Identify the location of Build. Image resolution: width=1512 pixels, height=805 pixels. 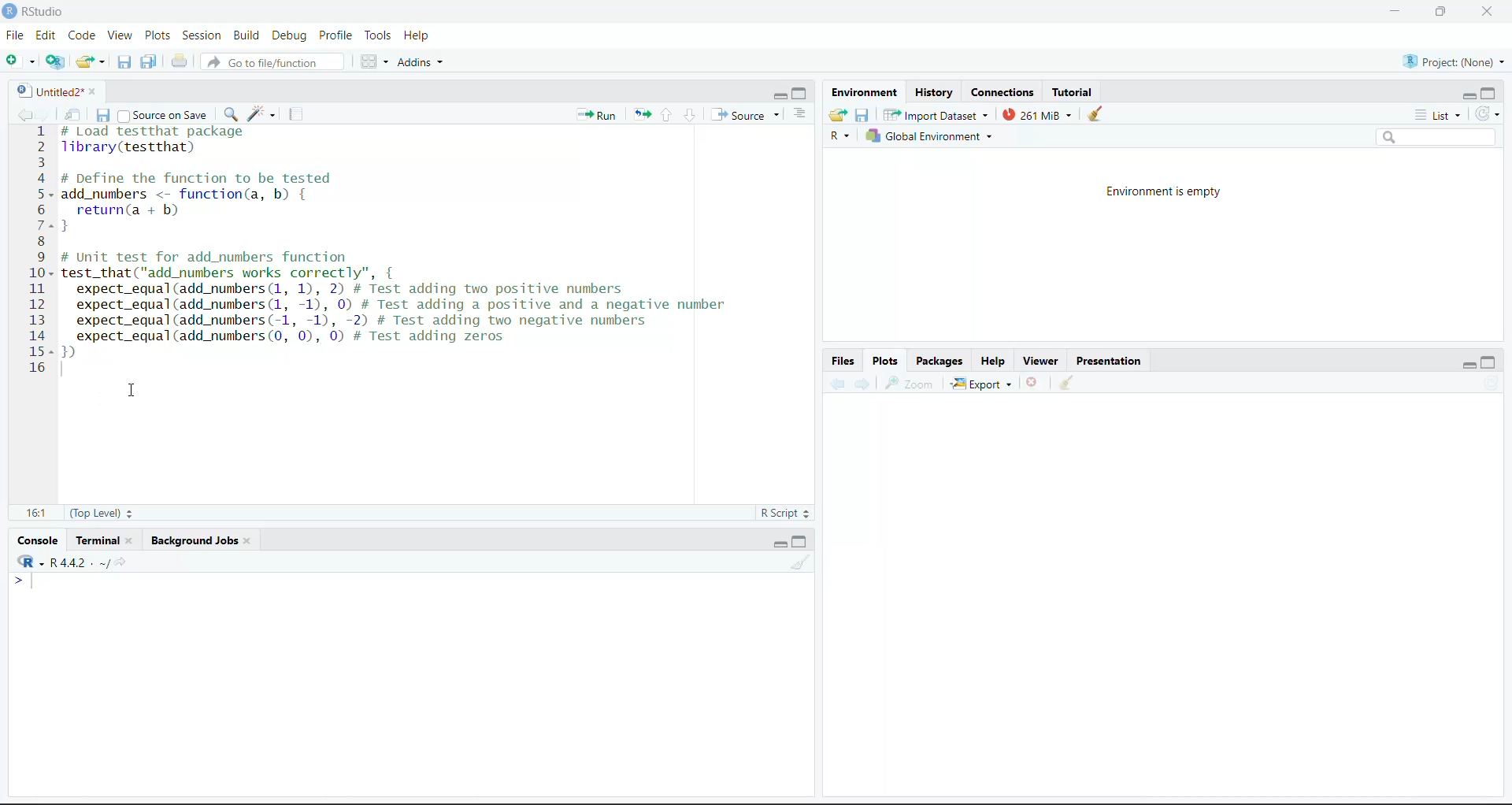
(245, 35).